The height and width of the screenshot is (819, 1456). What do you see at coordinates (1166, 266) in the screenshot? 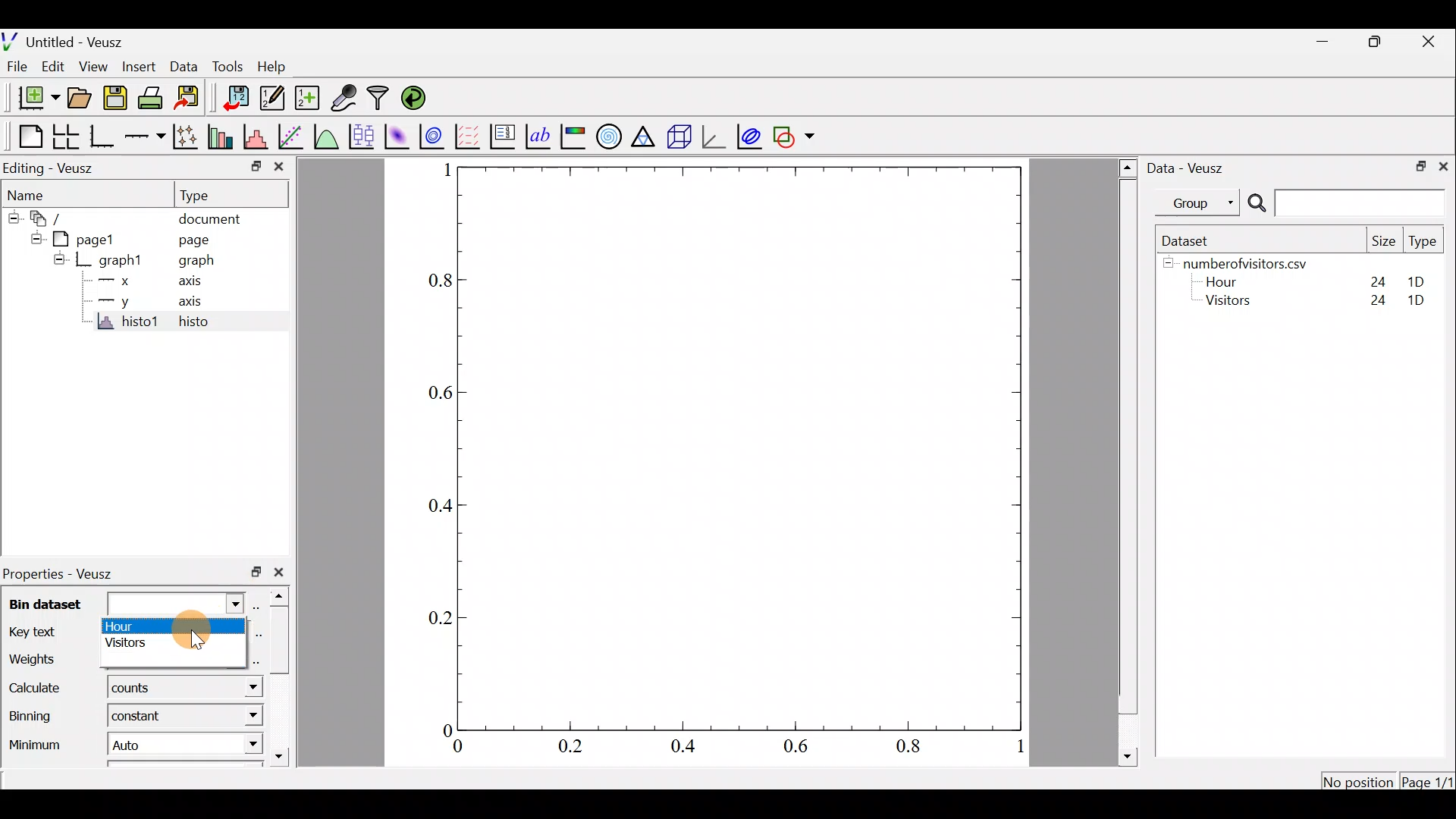
I see `hide sub menu` at bounding box center [1166, 266].